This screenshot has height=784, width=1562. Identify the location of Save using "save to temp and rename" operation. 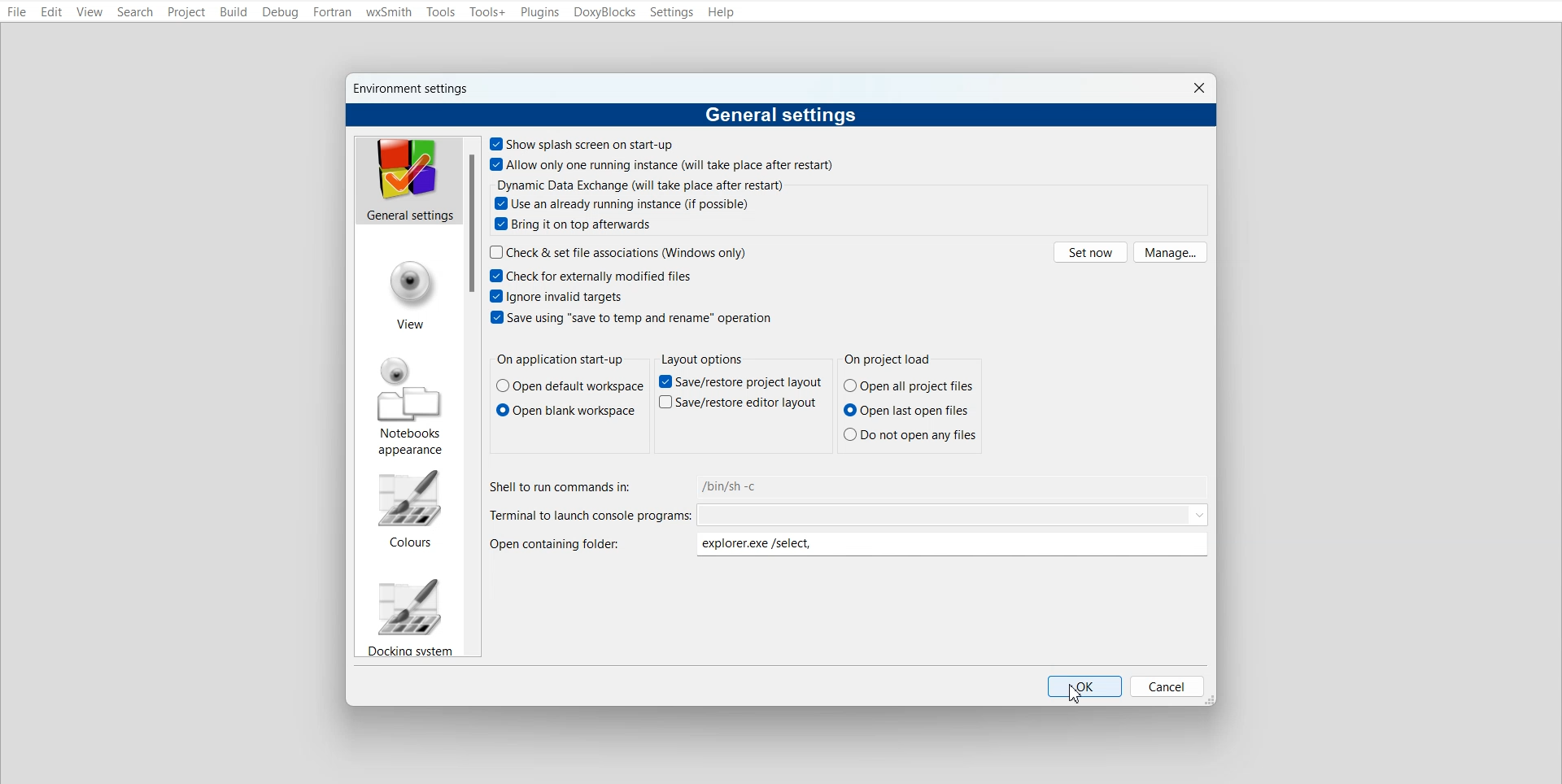
(631, 316).